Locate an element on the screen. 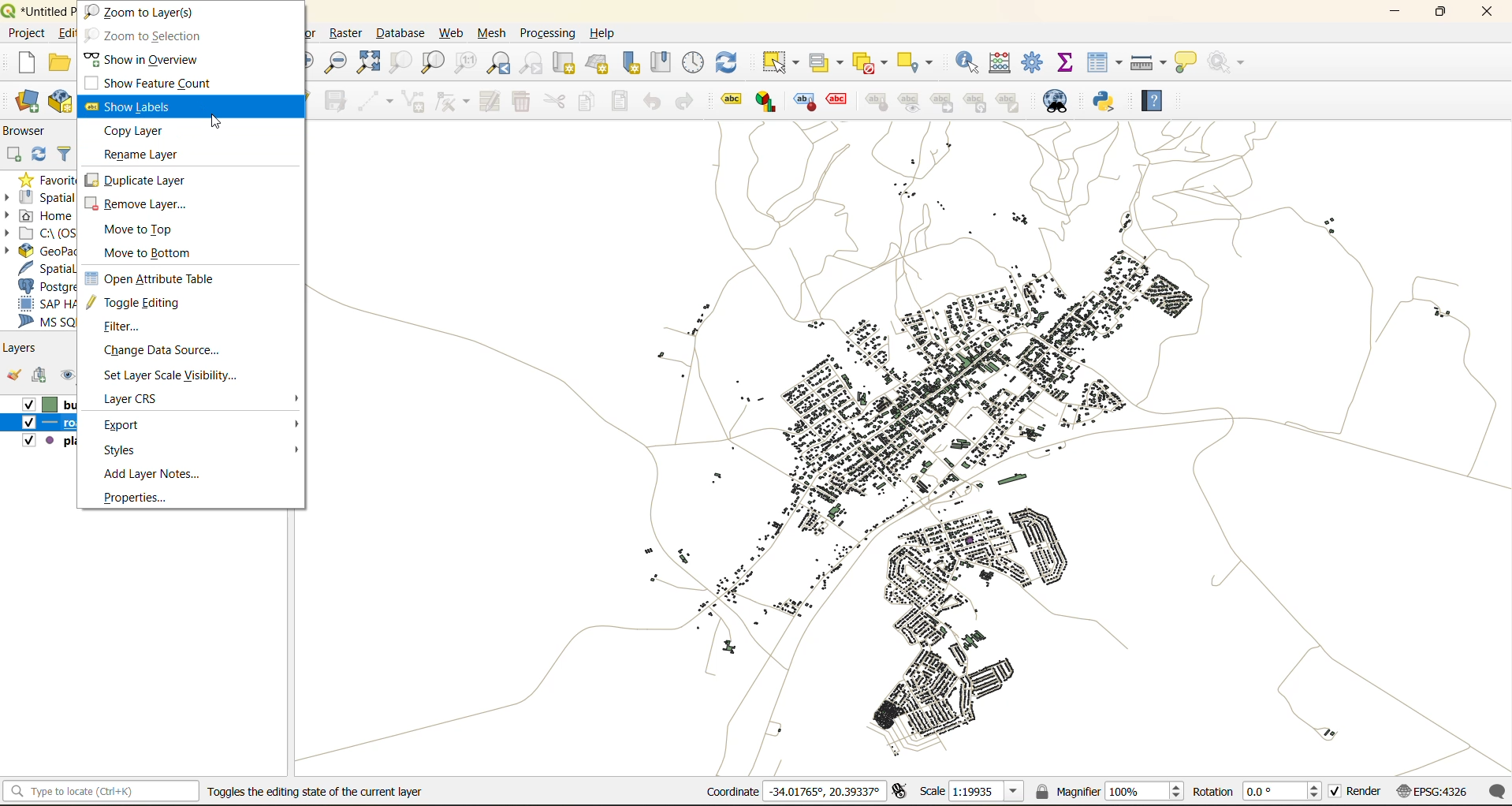  zoom next is located at coordinates (533, 63).